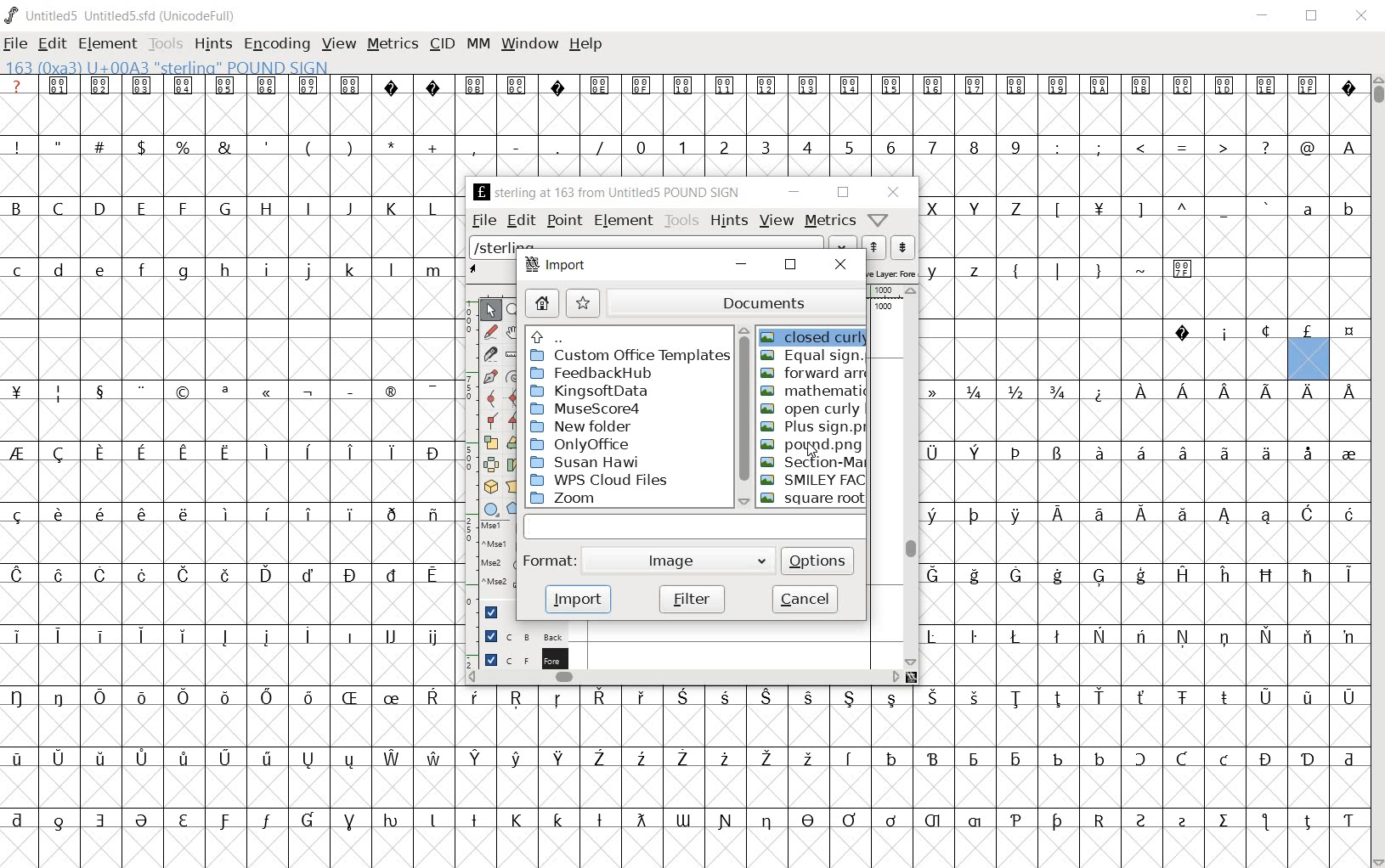  Describe the element at coordinates (811, 499) in the screenshot. I see `Square root` at that location.